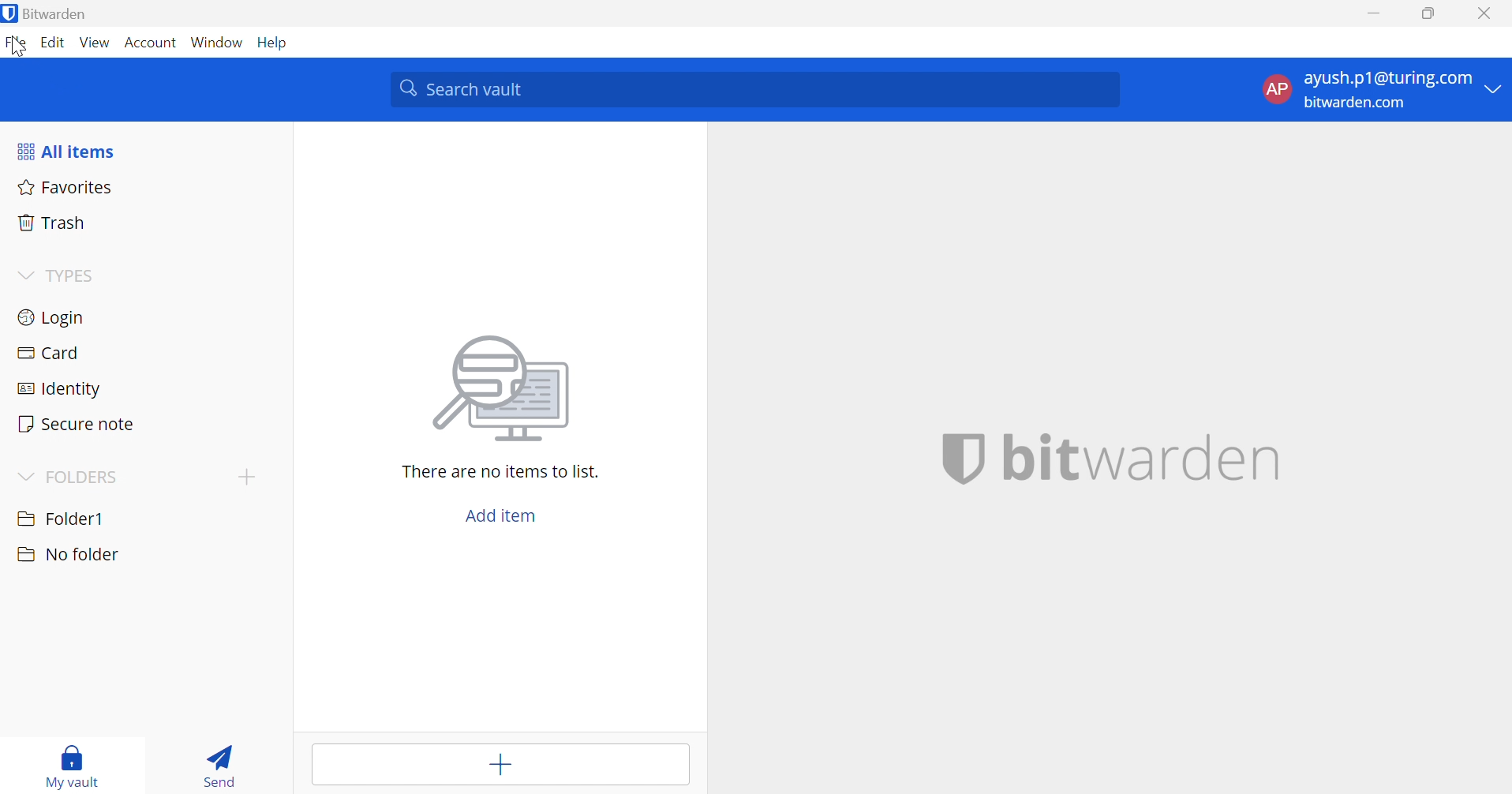 The image size is (1512, 794). Describe the element at coordinates (20, 54) in the screenshot. I see `cursor` at that location.